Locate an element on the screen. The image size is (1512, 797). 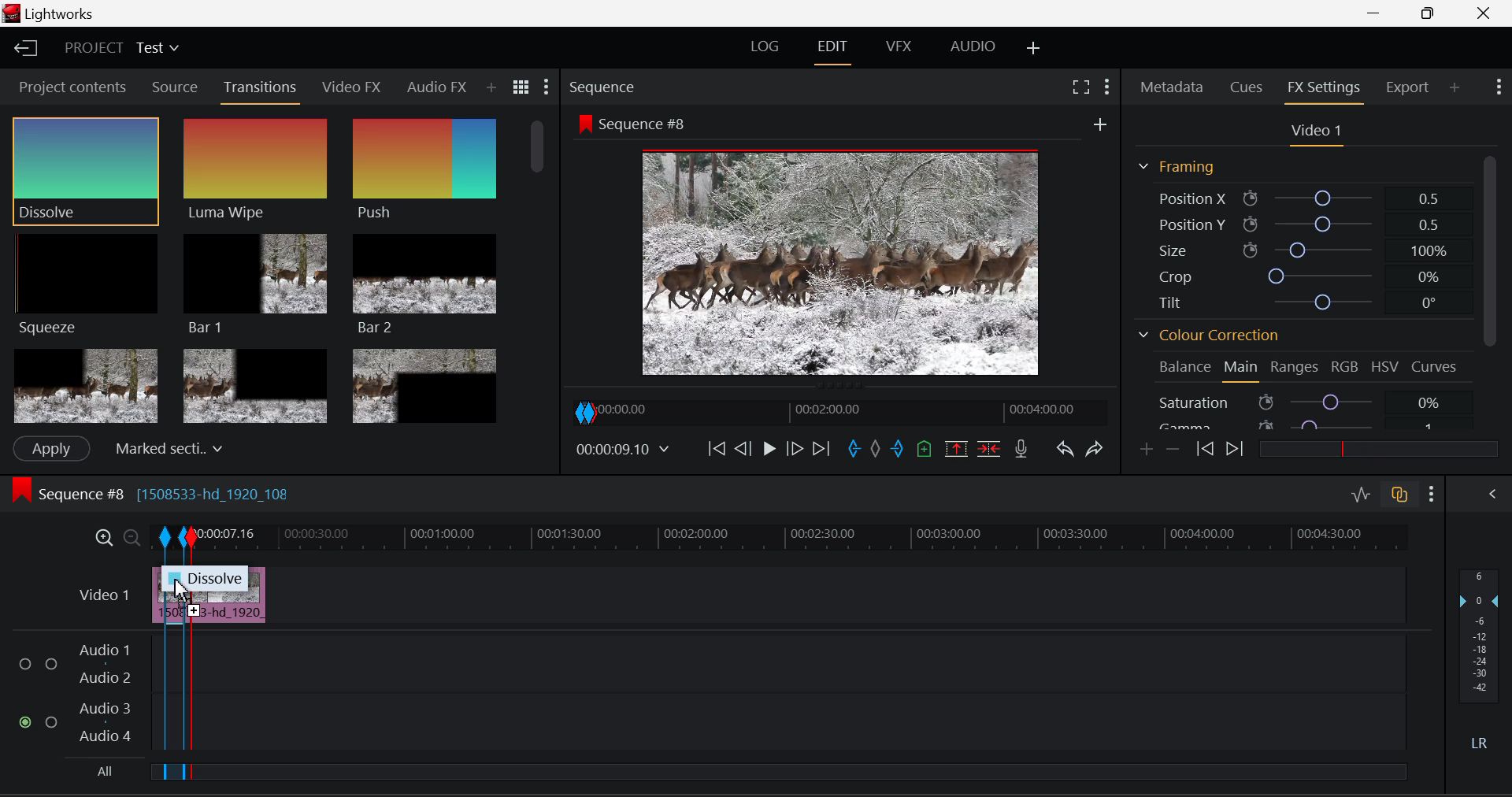
Project Timeline is located at coordinates (802, 536).